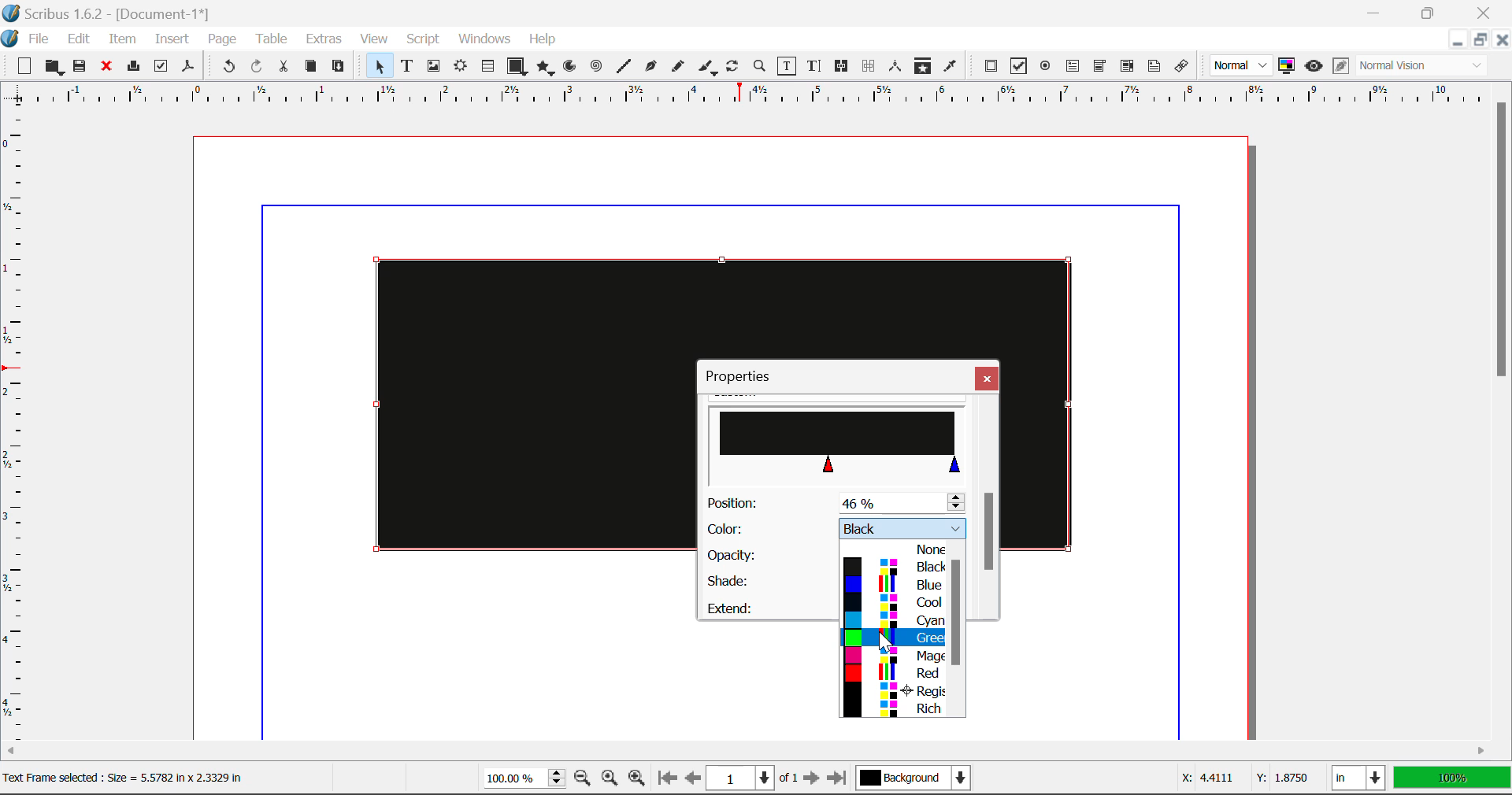  Describe the element at coordinates (665, 779) in the screenshot. I see `First Page` at that location.